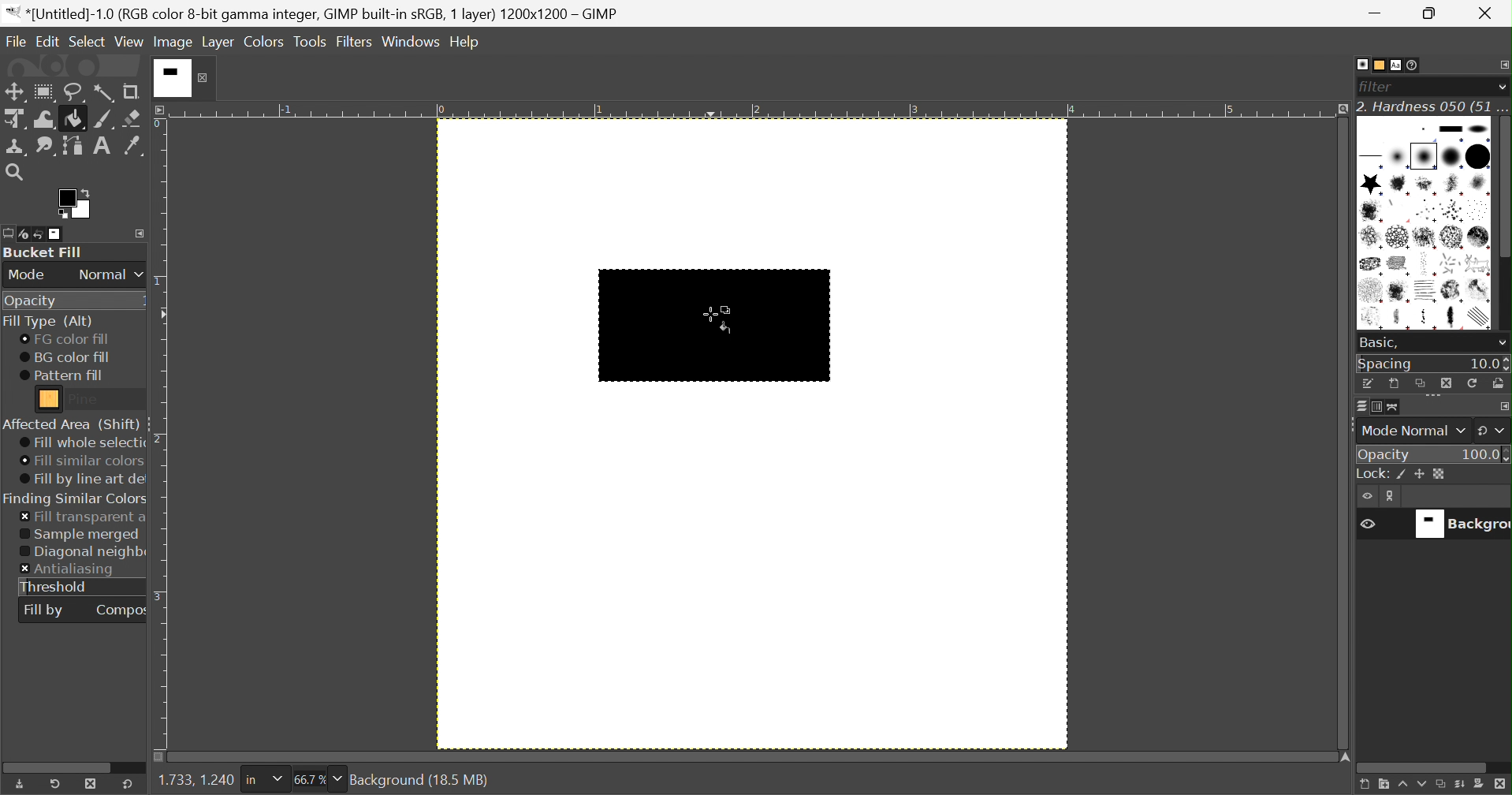  What do you see at coordinates (1372, 159) in the screenshot?
I see `Block` at bounding box center [1372, 159].